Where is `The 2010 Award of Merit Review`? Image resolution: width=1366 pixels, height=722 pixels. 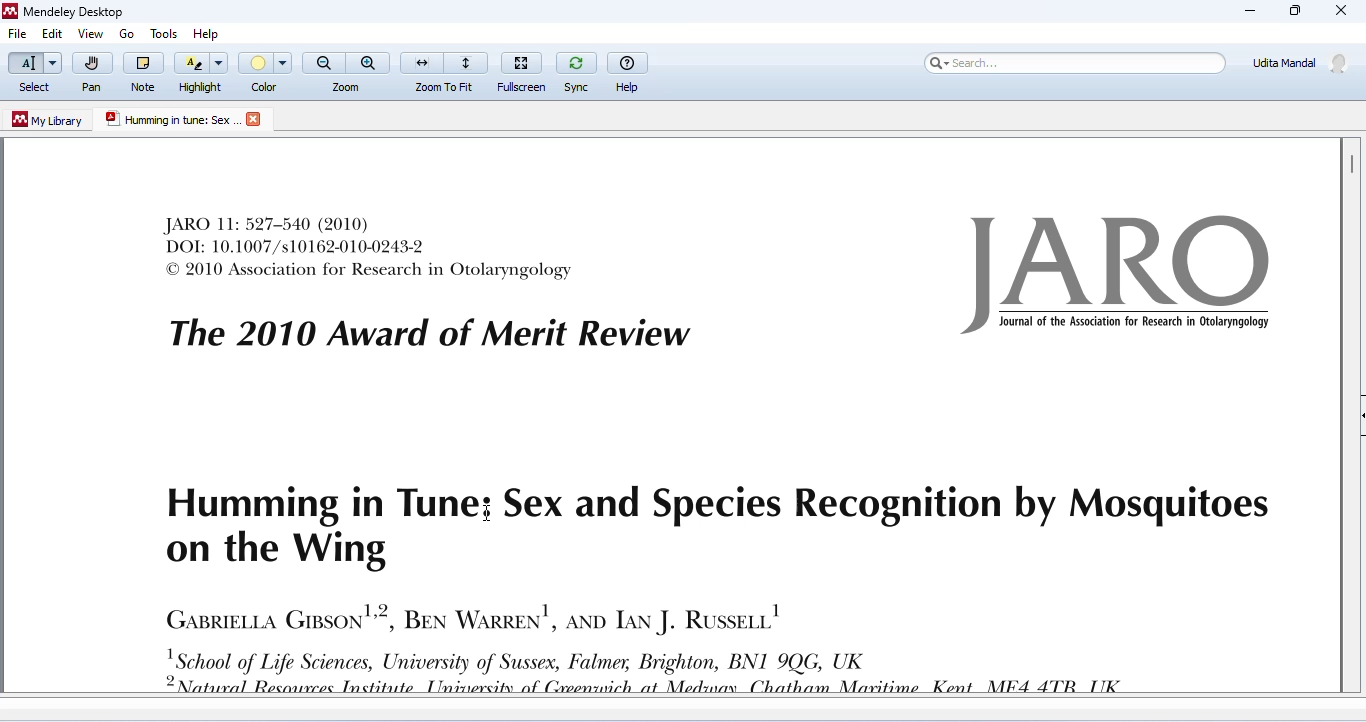 The 2010 Award of Merit Review is located at coordinates (429, 334).